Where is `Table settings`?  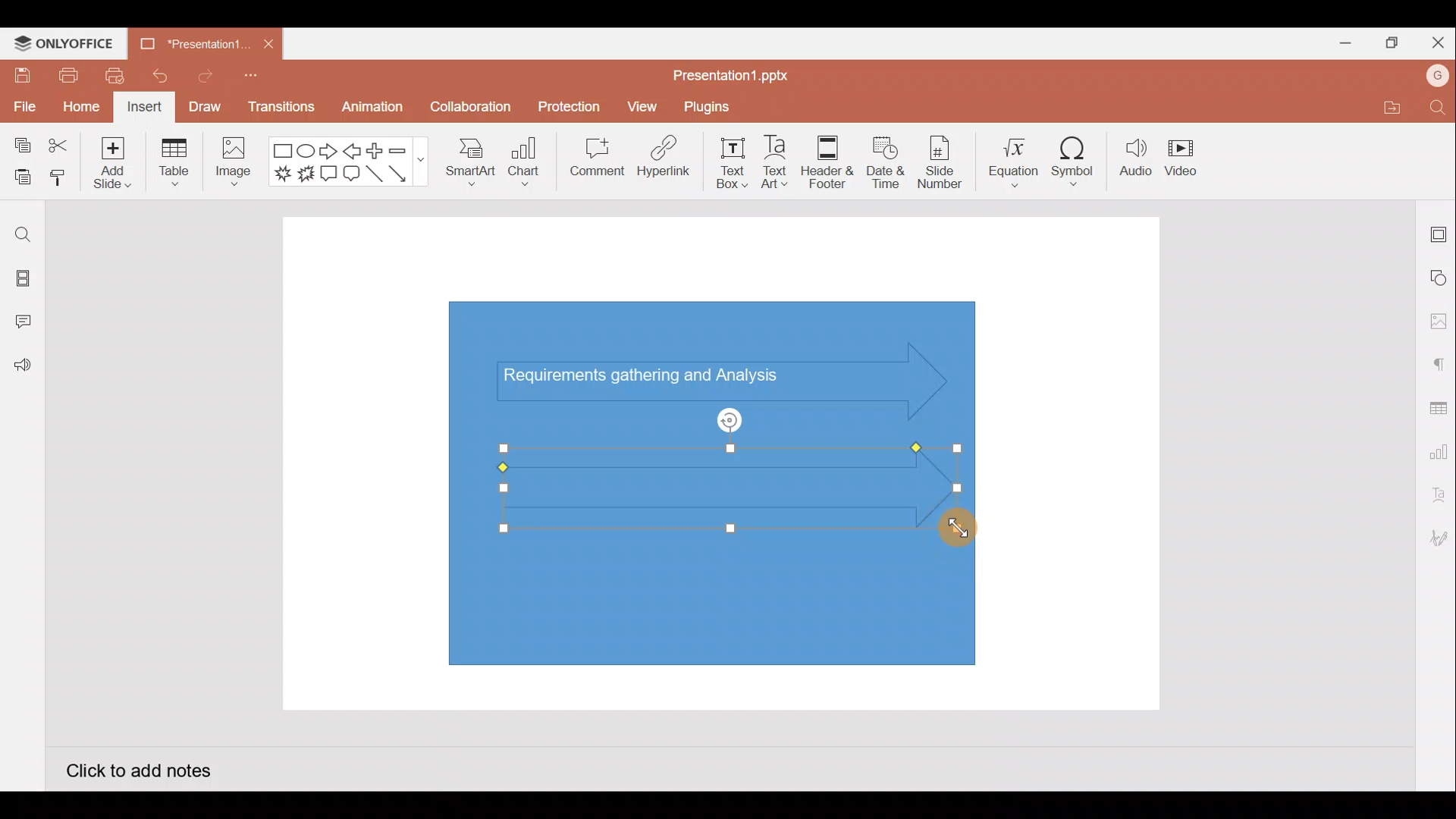 Table settings is located at coordinates (1435, 406).